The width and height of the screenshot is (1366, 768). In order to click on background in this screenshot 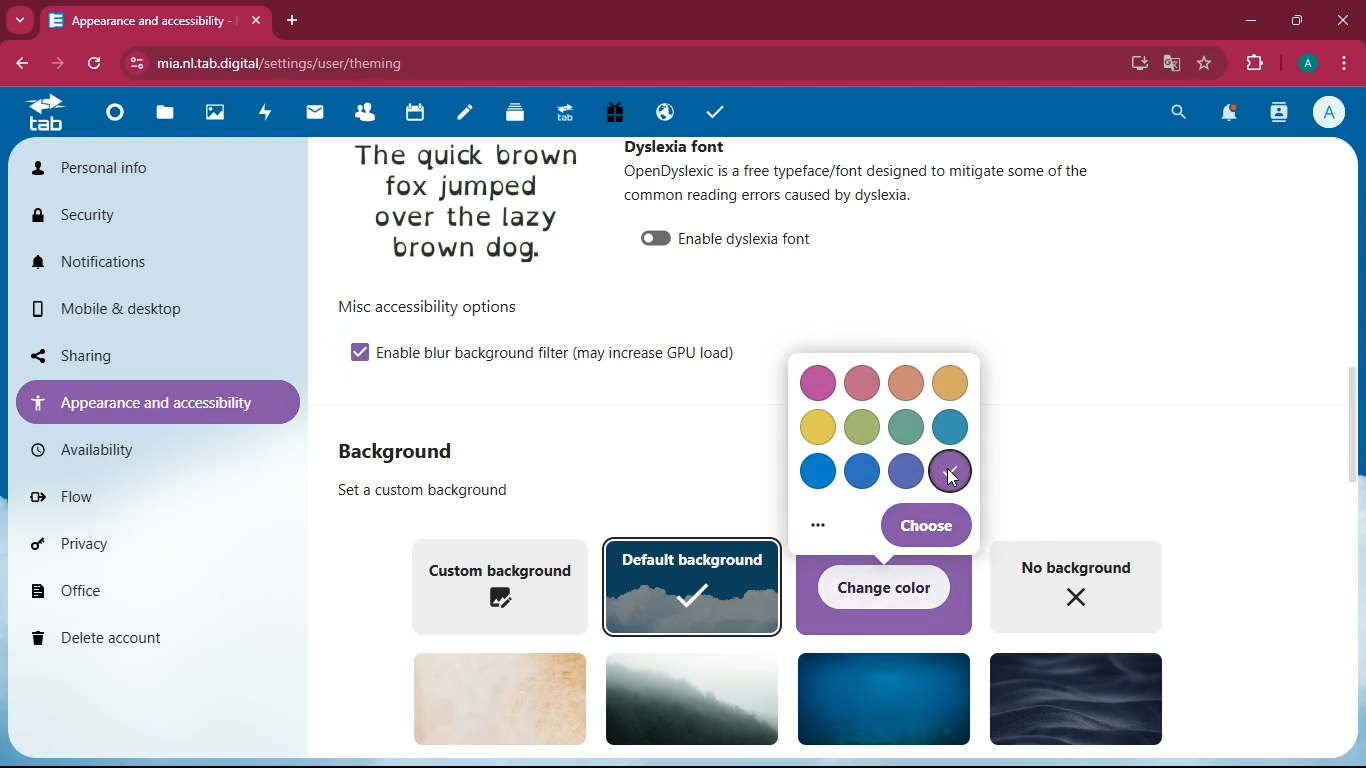, I will do `click(695, 698)`.